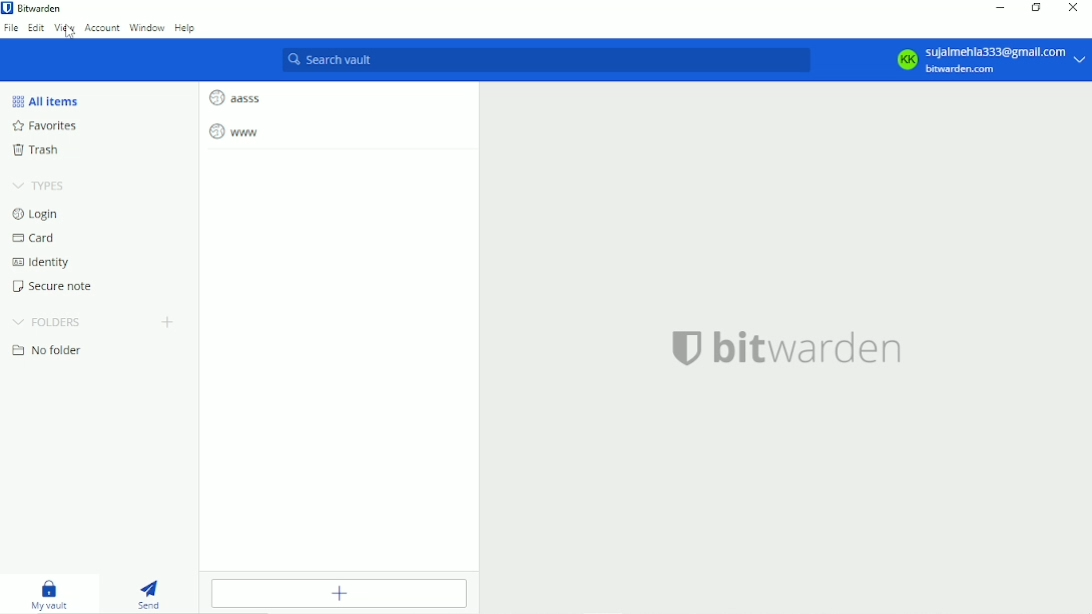 Image resolution: width=1092 pixels, height=614 pixels. What do you see at coordinates (102, 28) in the screenshot?
I see `Account` at bounding box center [102, 28].